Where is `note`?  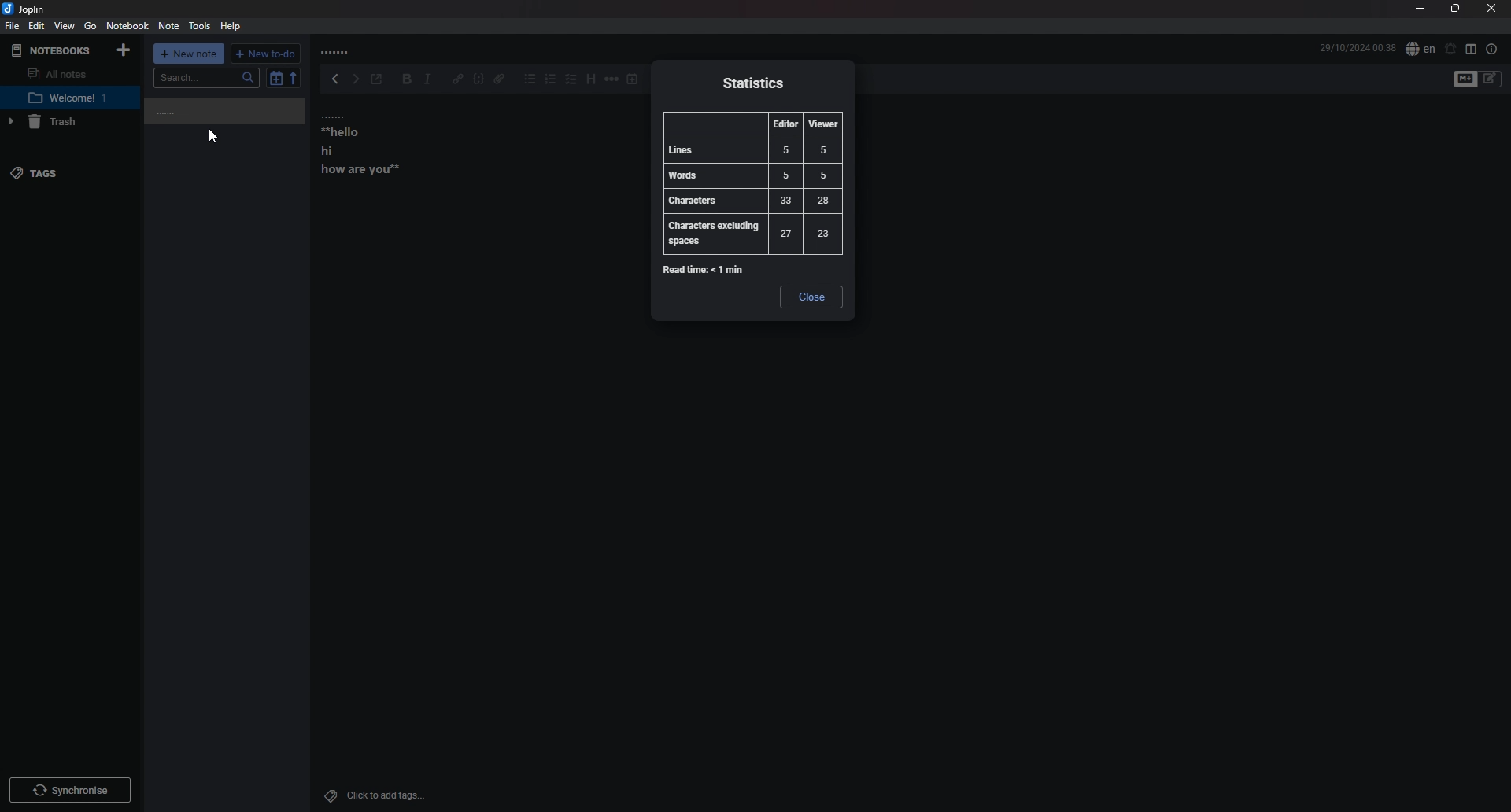 note is located at coordinates (375, 146).